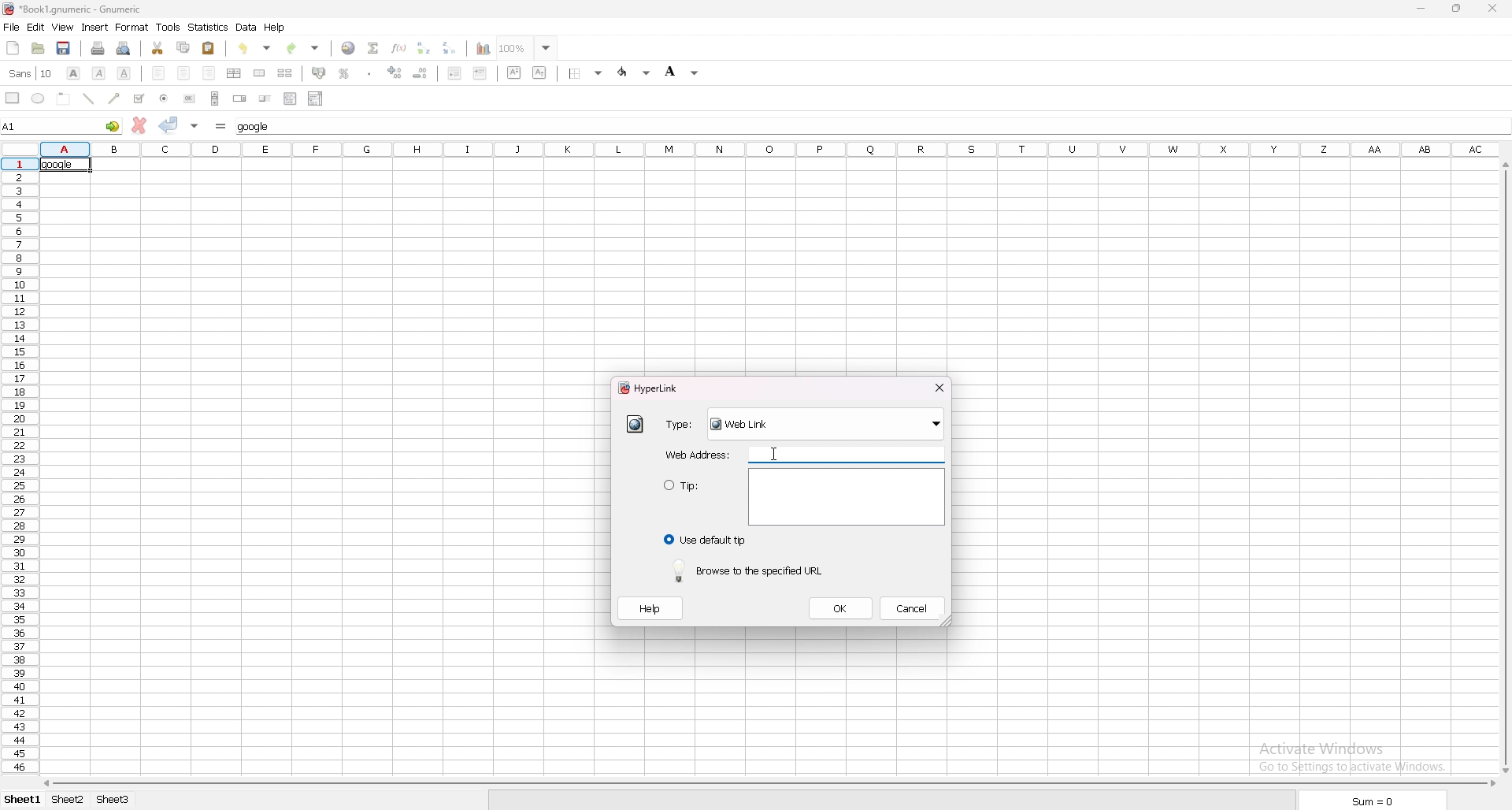  What do you see at coordinates (65, 98) in the screenshot?
I see `frame` at bounding box center [65, 98].